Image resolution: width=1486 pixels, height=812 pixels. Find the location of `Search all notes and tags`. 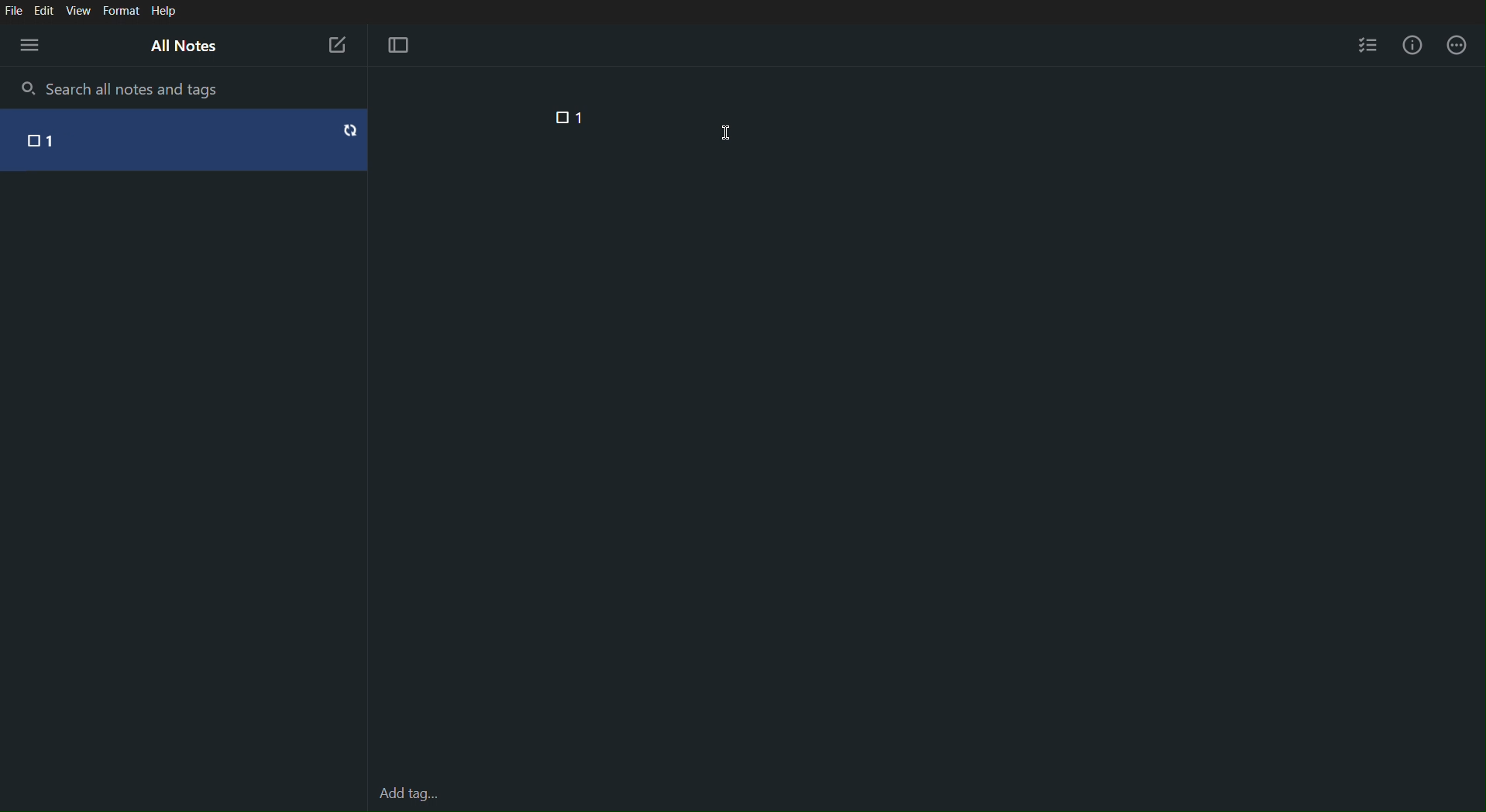

Search all notes and tags is located at coordinates (138, 88).